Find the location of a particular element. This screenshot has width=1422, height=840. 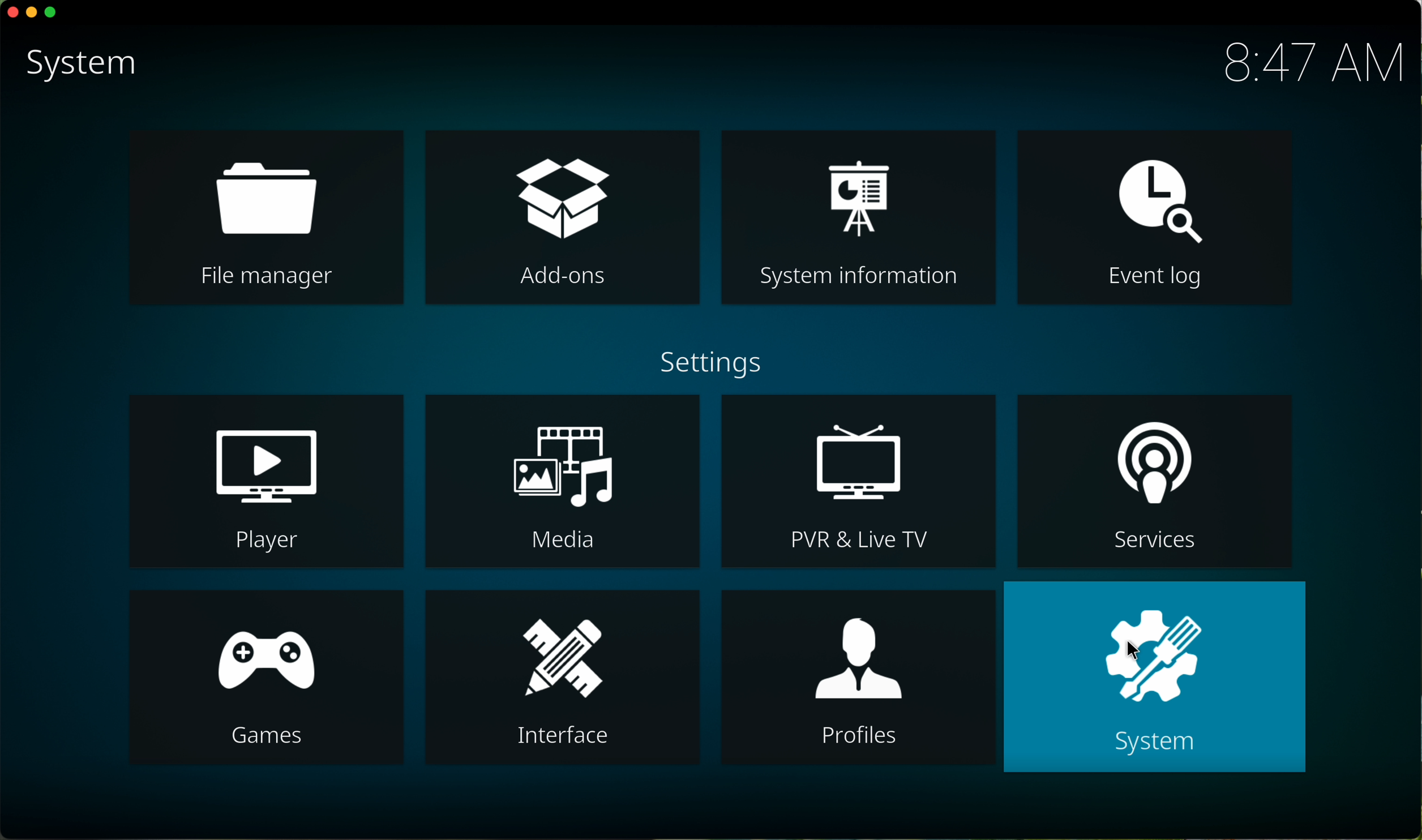

click on system is located at coordinates (1154, 678).